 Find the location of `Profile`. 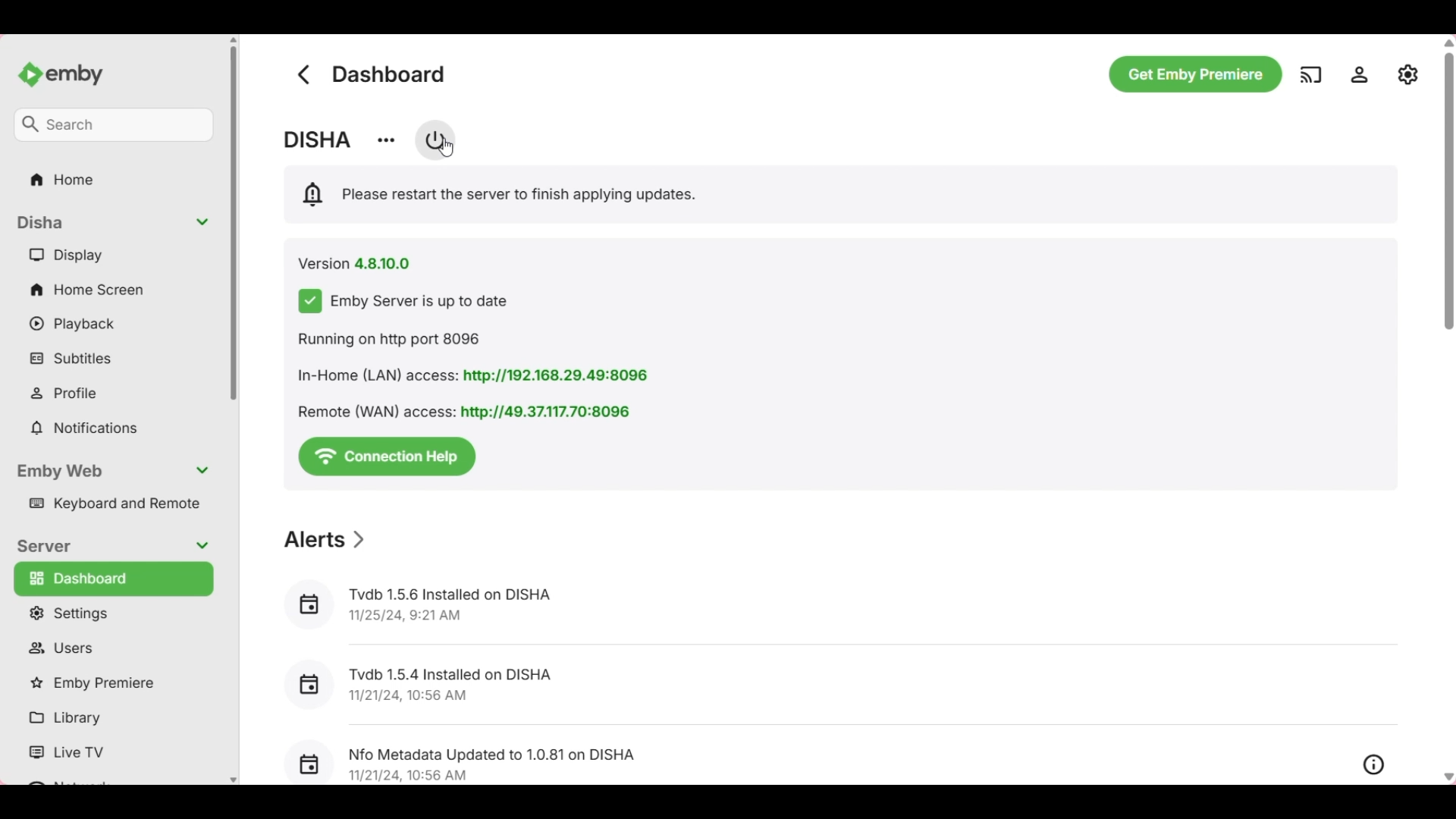

Profile is located at coordinates (115, 393).